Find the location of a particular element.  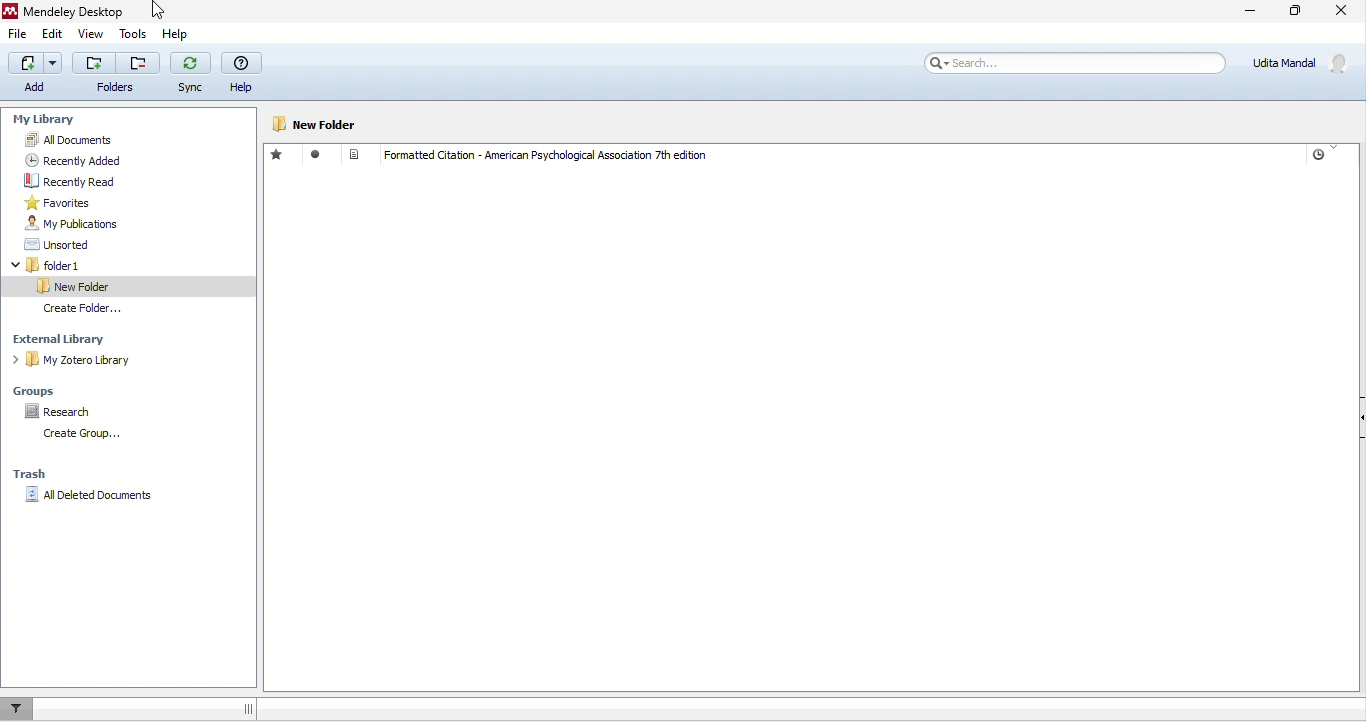

Enables movement is located at coordinates (248, 709).